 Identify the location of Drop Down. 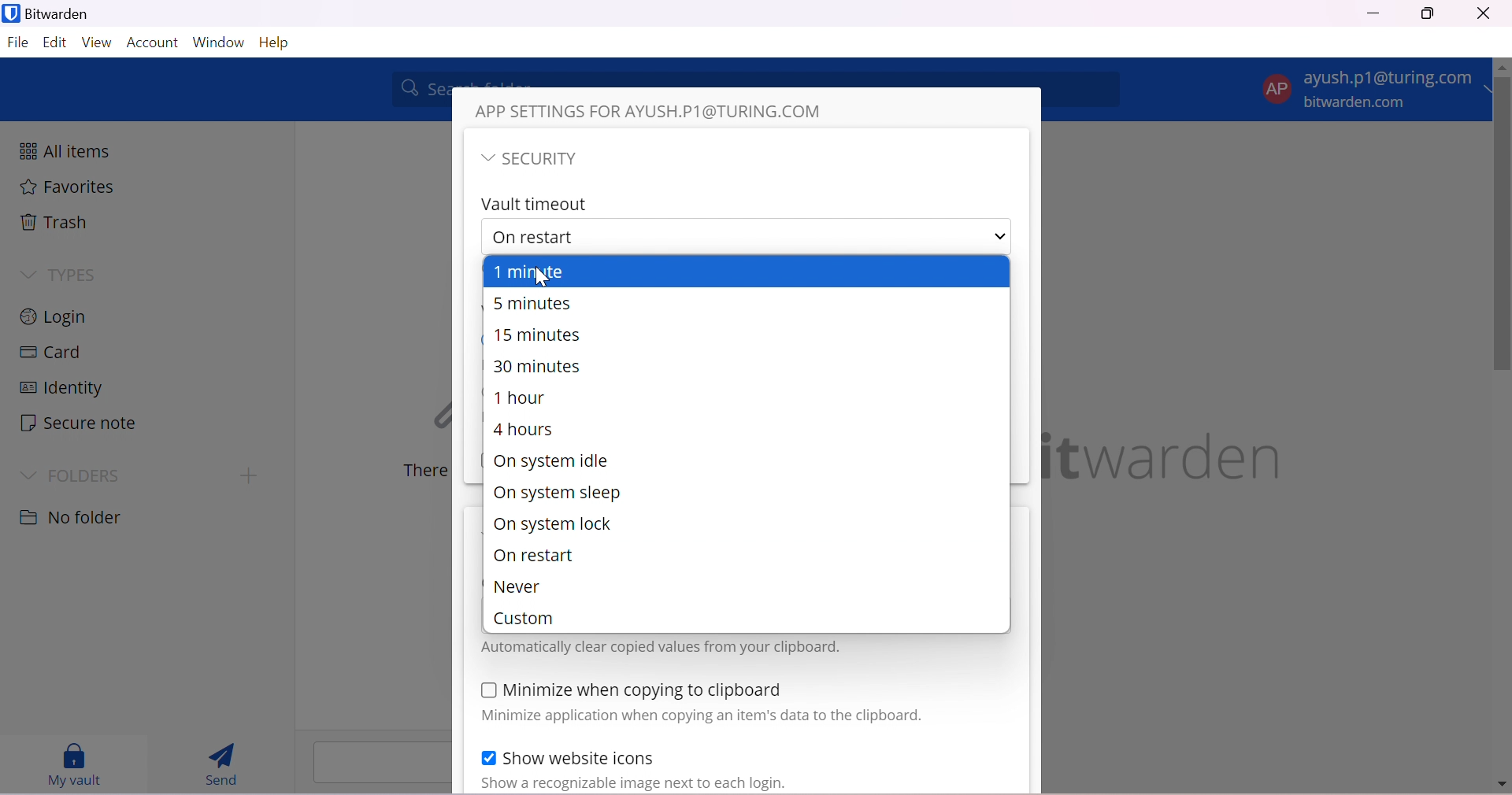
(1002, 235).